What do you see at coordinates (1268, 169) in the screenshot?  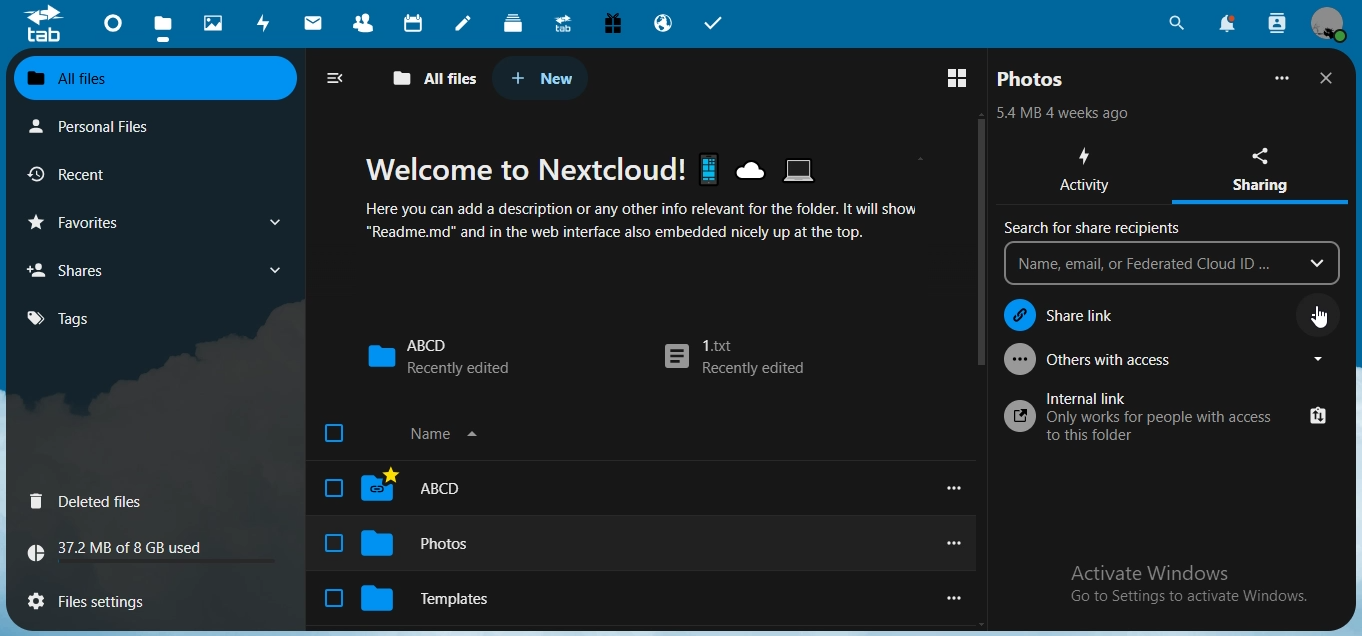 I see `sharing` at bounding box center [1268, 169].